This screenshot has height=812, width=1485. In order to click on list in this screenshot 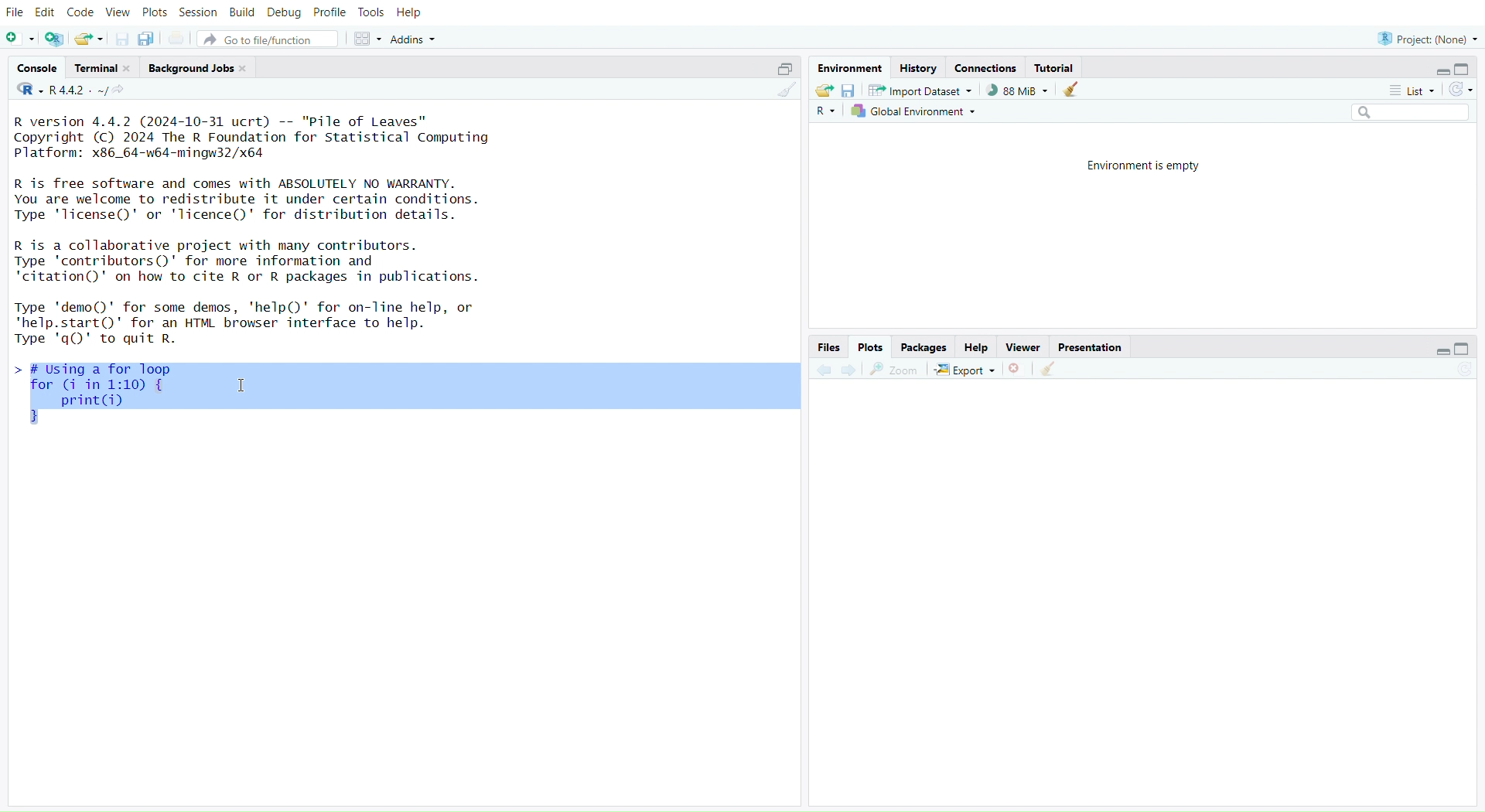, I will do `click(1405, 90)`.